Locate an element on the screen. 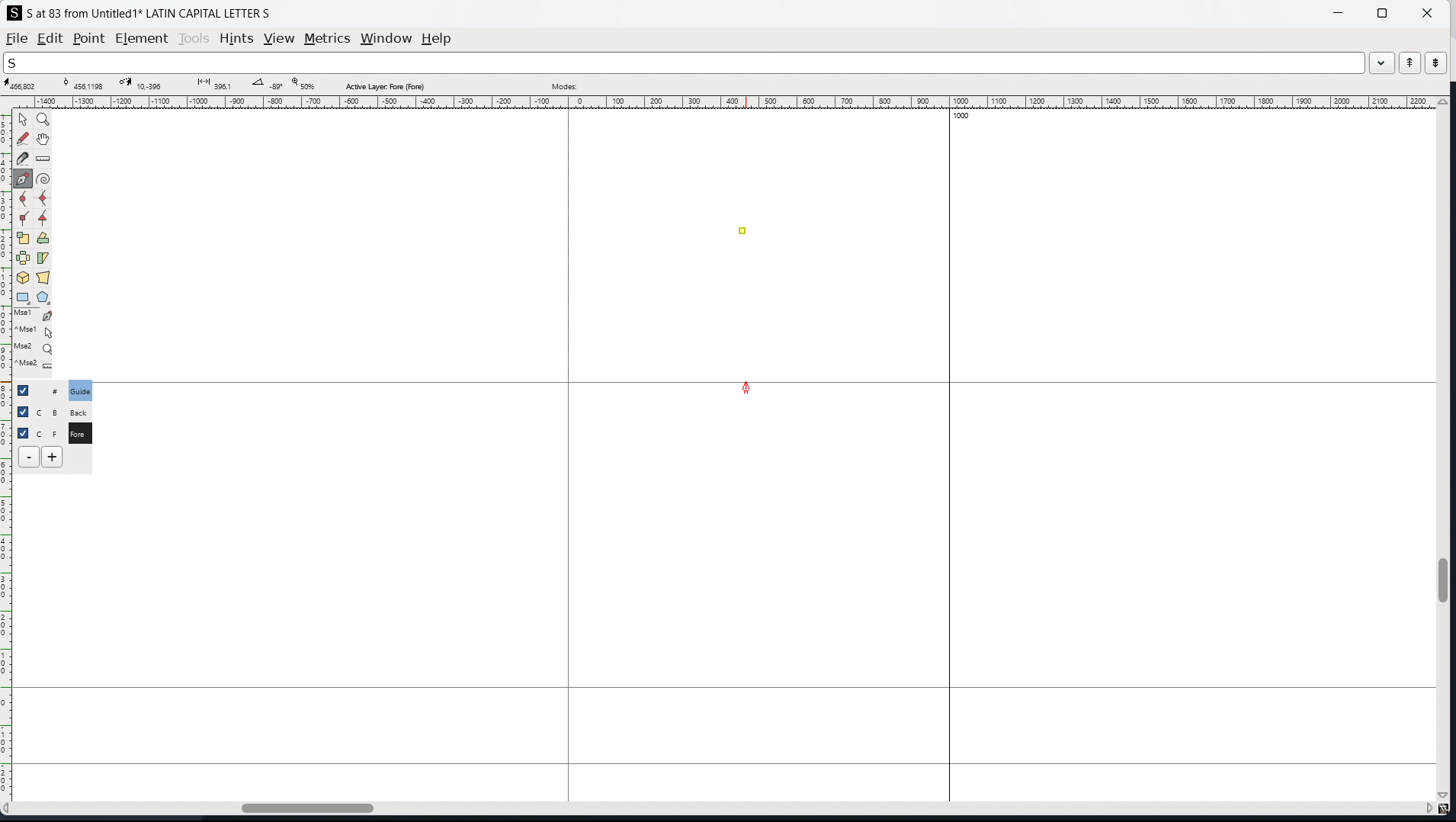 This screenshot has width=1456, height=822. add a tangent point is located at coordinates (43, 219).